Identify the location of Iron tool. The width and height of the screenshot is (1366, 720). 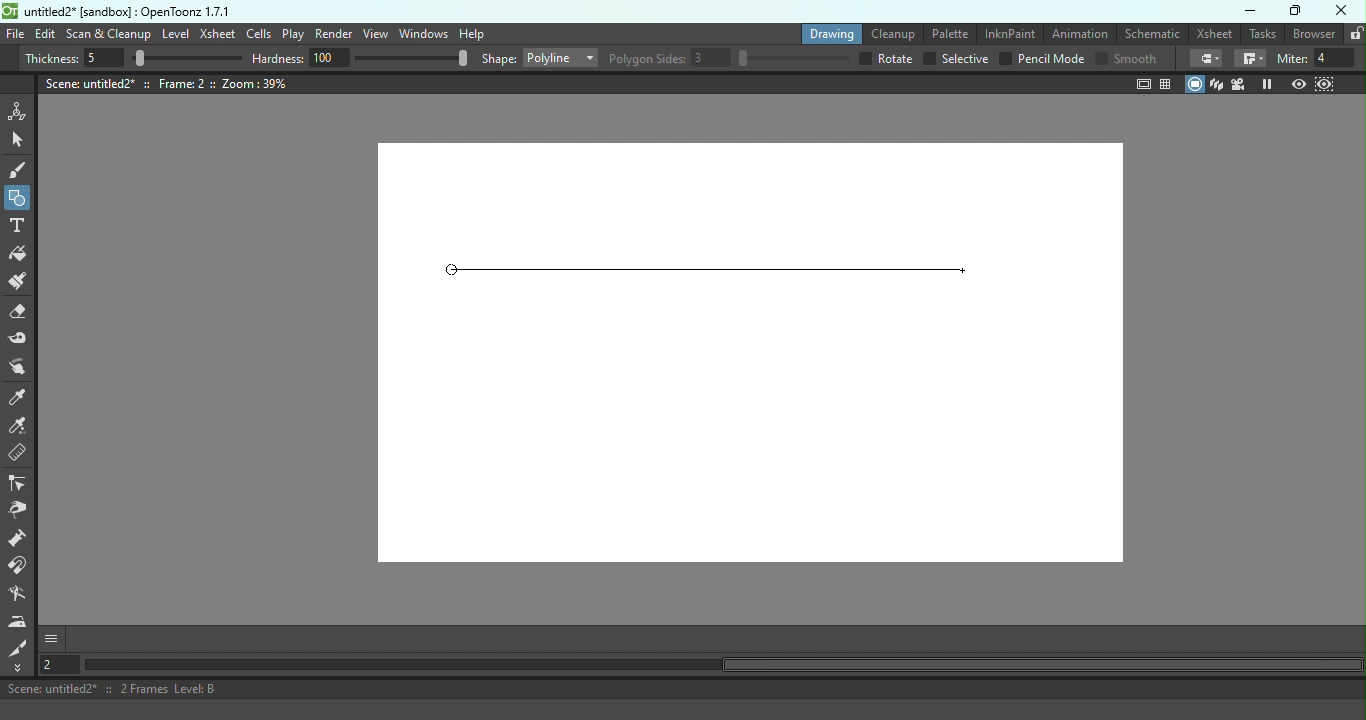
(18, 622).